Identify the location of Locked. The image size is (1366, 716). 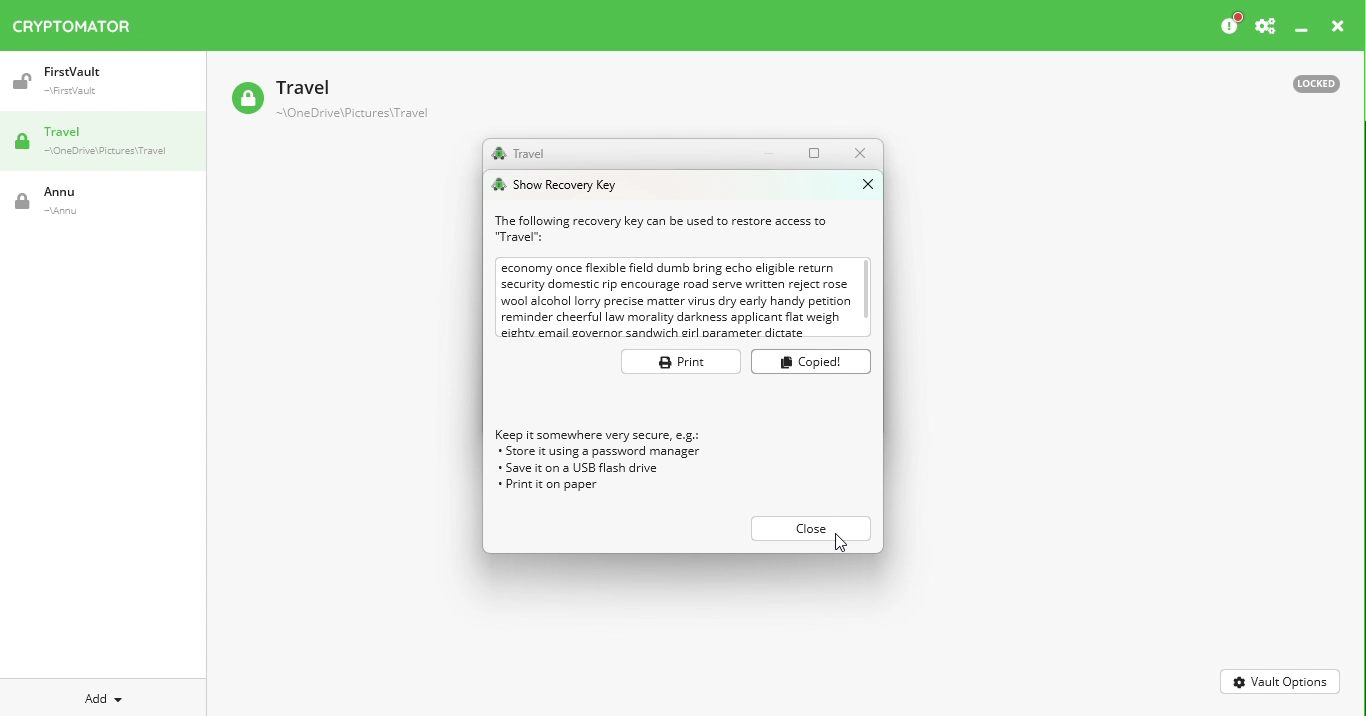
(1307, 82).